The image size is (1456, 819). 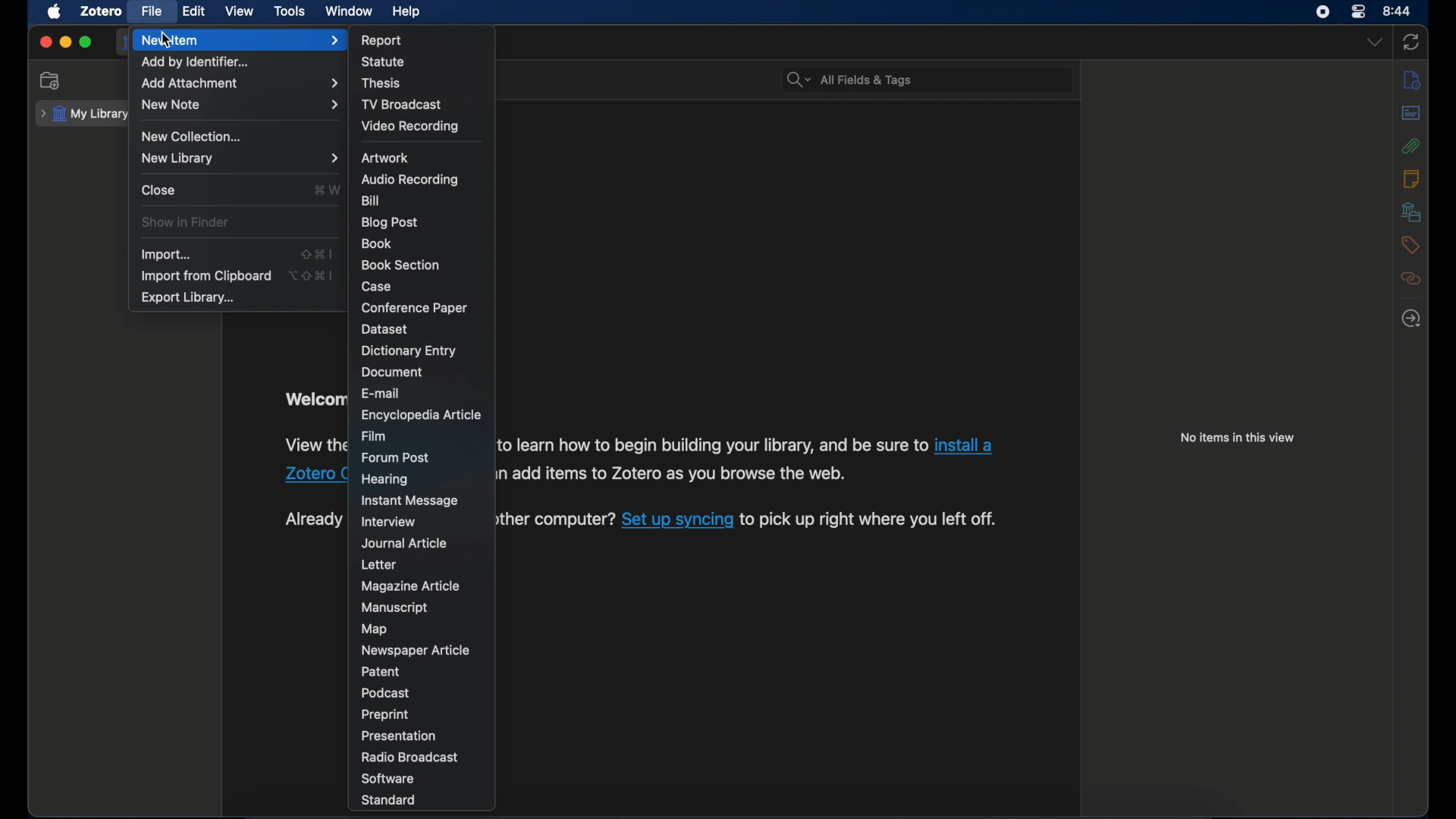 I want to click on software, so click(x=388, y=778).